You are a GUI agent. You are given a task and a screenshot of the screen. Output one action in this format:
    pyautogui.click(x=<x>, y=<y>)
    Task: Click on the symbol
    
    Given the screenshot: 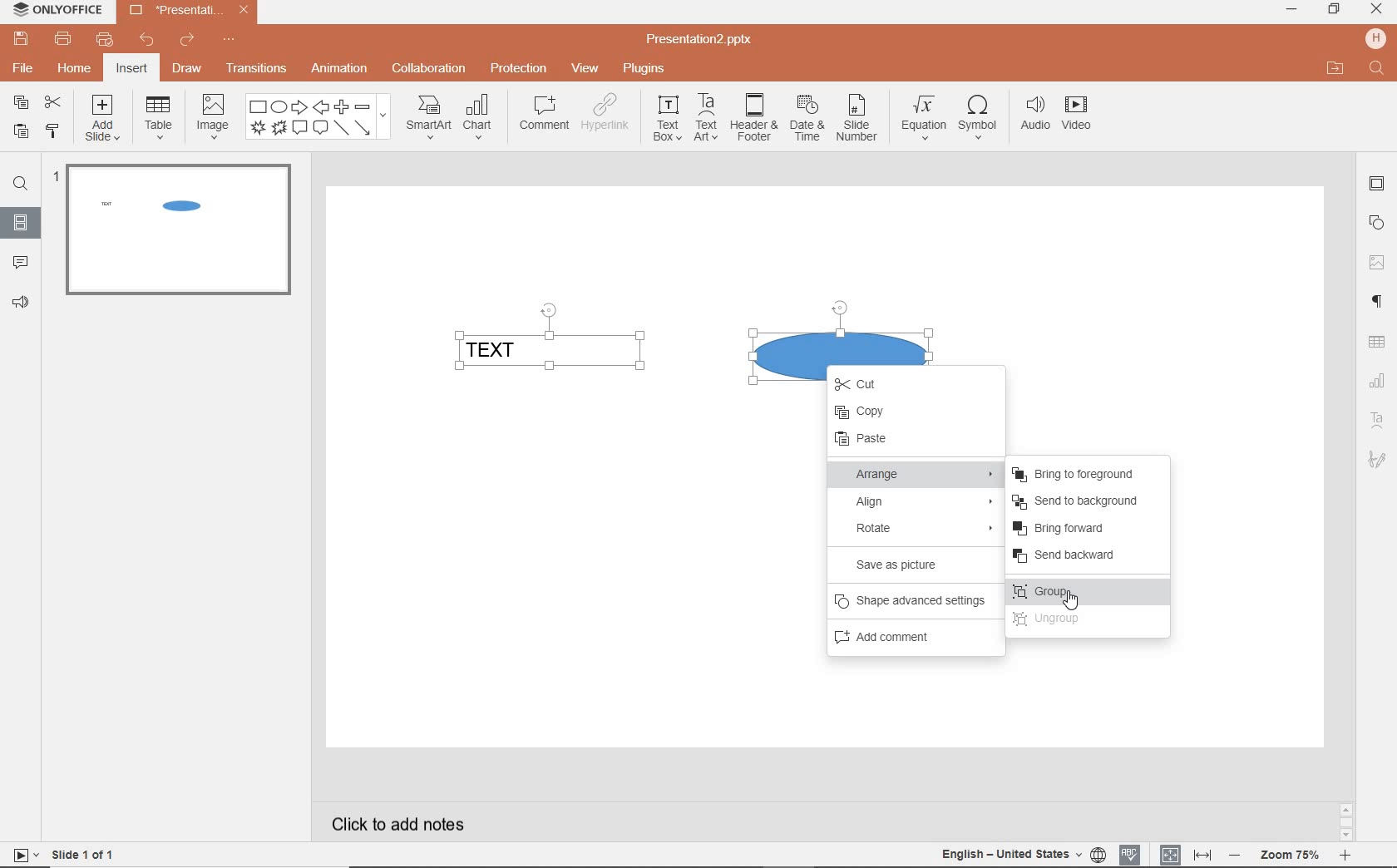 What is the action you would take?
    pyautogui.click(x=975, y=121)
    